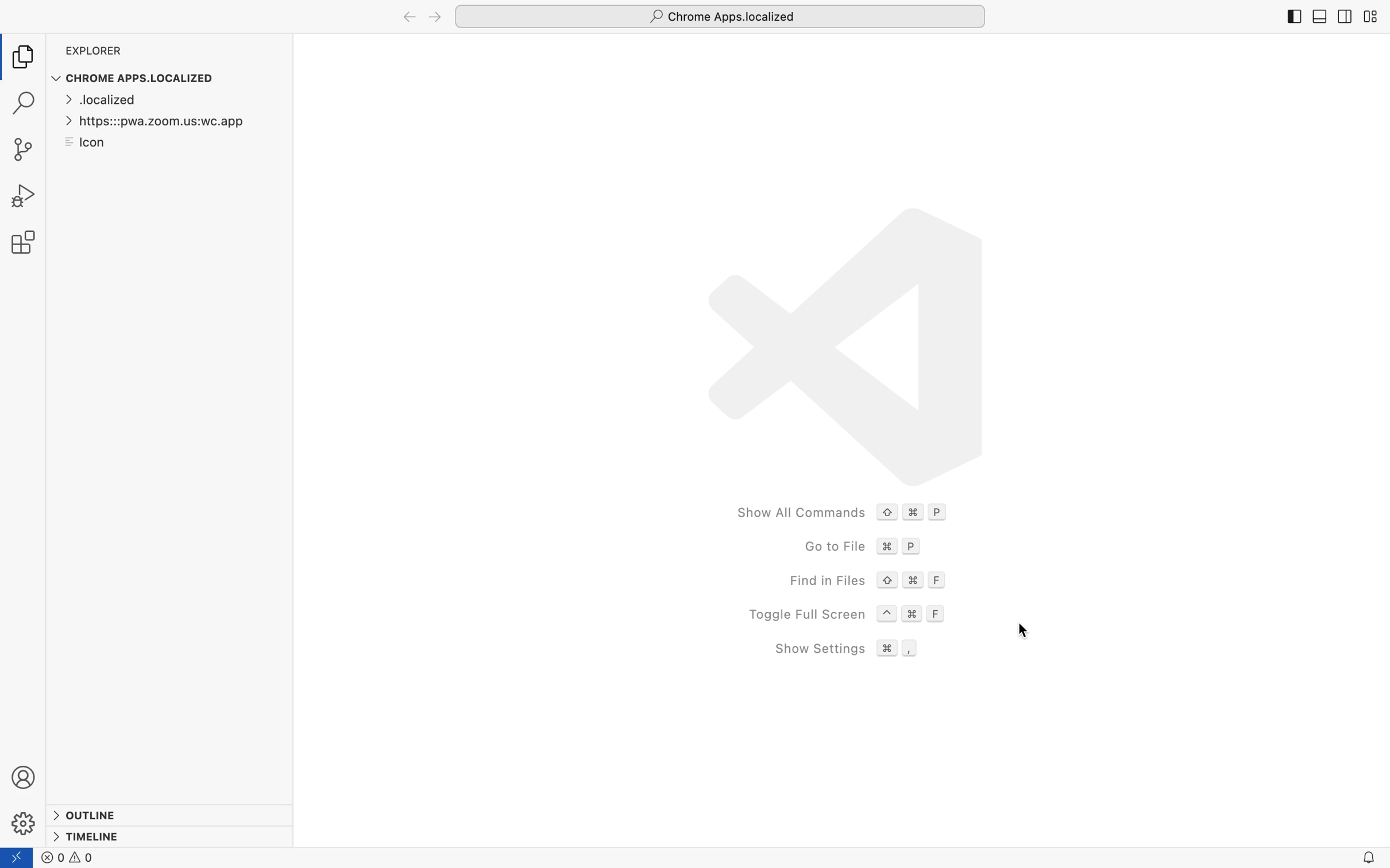  What do you see at coordinates (26, 197) in the screenshot?
I see `run and debug` at bounding box center [26, 197].